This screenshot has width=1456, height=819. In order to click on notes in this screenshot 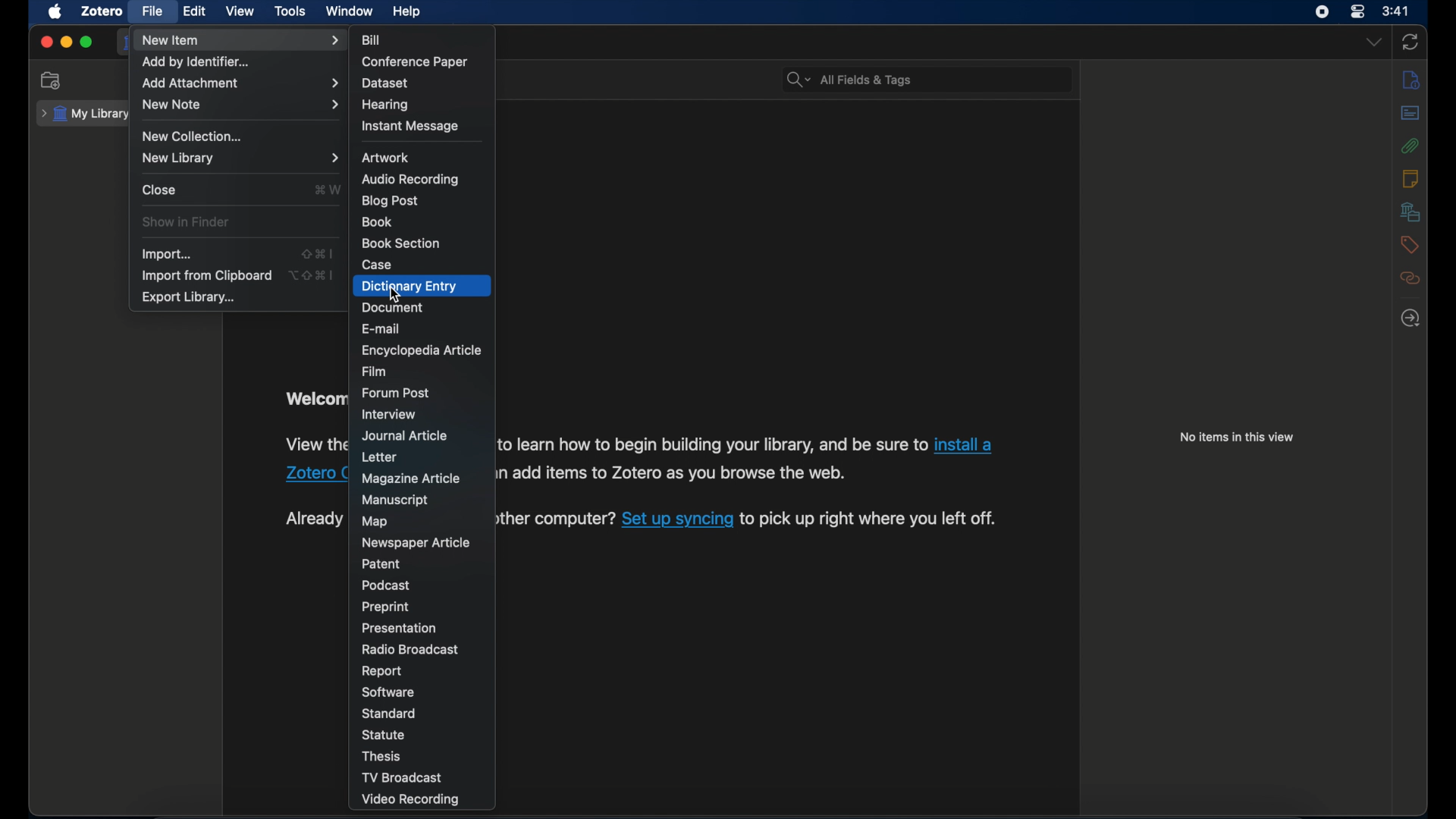, I will do `click(1410, 178)`.